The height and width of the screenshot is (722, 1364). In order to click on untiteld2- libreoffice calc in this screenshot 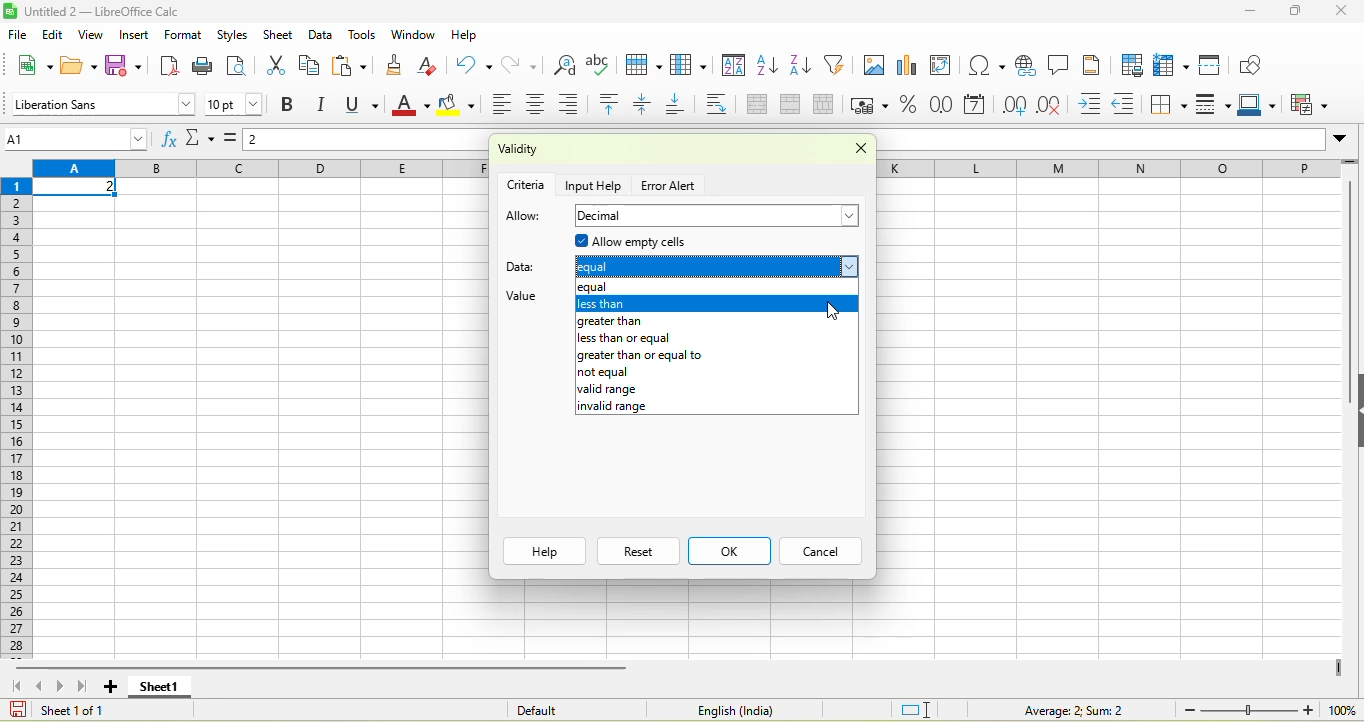, I will do `click(115, 11)`.